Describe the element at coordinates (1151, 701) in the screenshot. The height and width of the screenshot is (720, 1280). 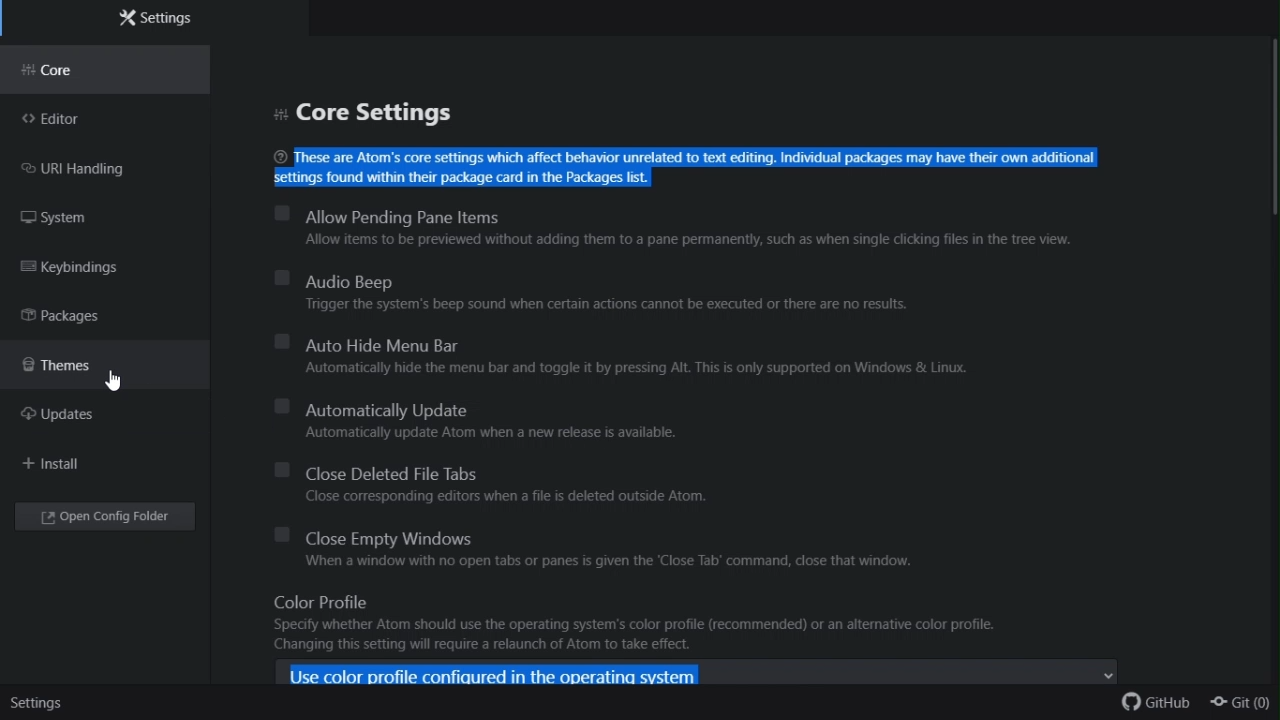
I see `github` at that location.